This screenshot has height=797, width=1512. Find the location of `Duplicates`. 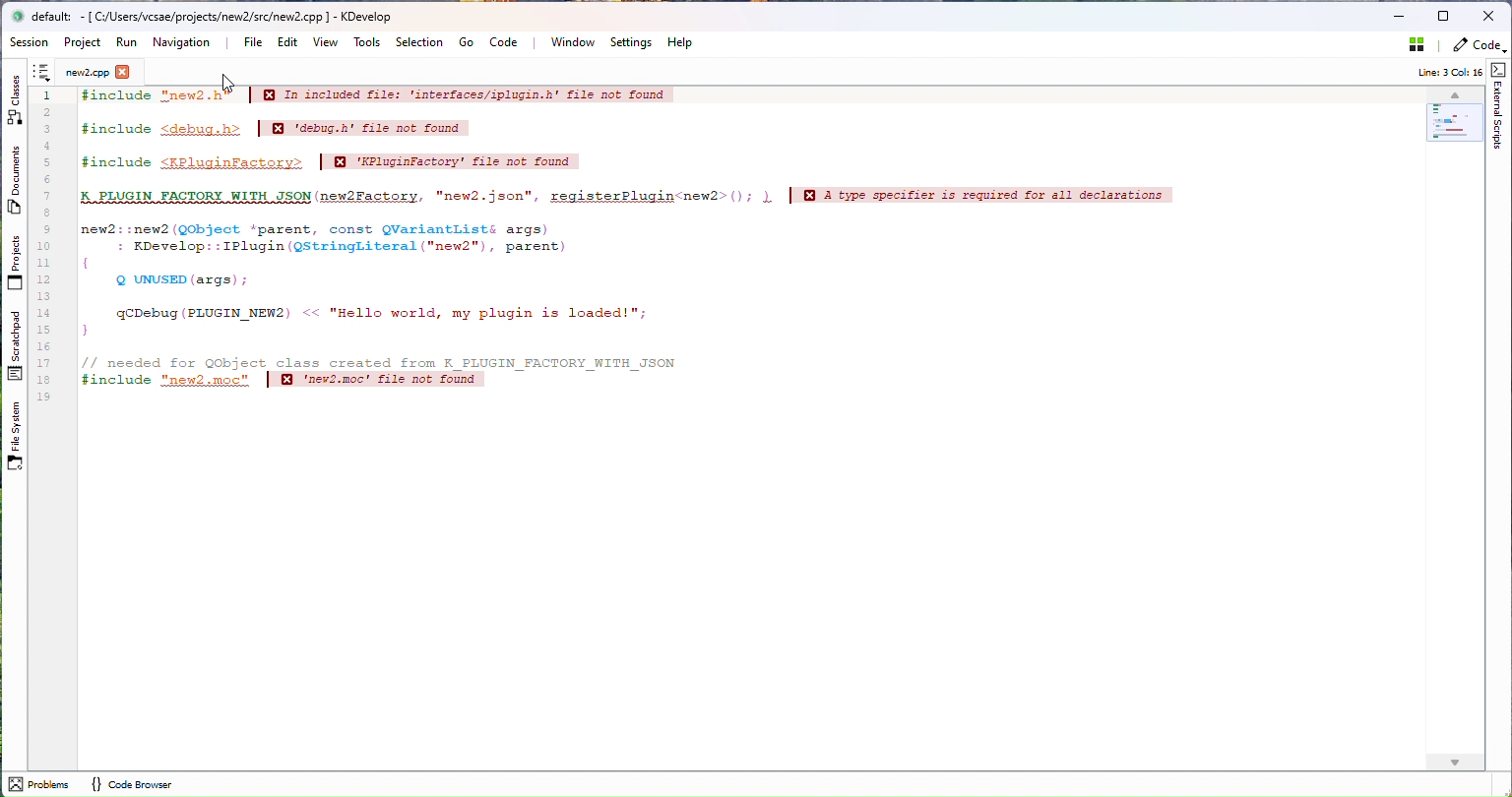

Duplicates is located at coordinates (16, 180).